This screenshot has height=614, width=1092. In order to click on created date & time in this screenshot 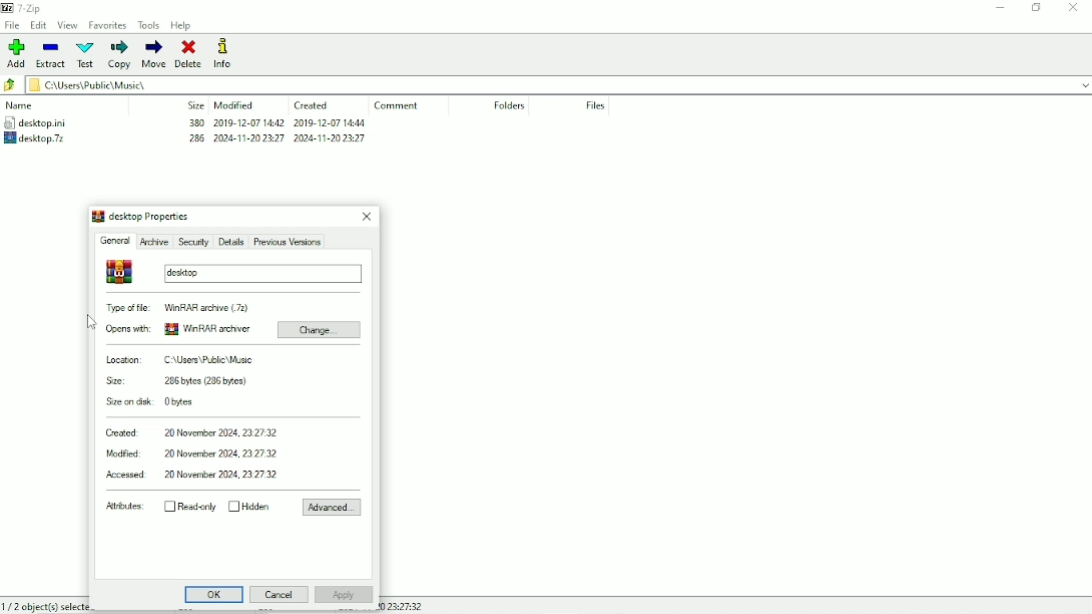, I will do `click(329, 122)`.